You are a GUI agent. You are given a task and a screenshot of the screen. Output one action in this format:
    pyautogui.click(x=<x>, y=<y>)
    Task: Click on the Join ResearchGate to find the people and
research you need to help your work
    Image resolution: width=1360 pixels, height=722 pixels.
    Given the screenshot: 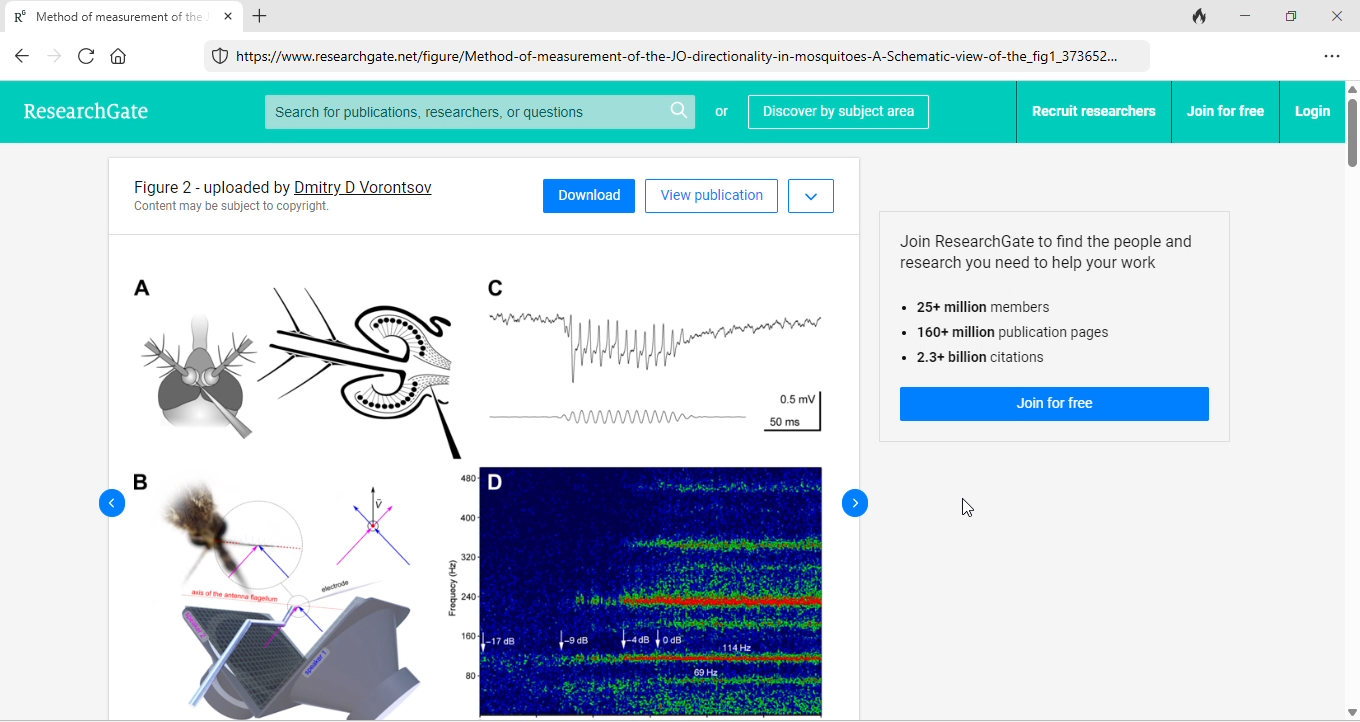 What is the action you would take?
    pyautogui.click(x=1035, y=251)
    